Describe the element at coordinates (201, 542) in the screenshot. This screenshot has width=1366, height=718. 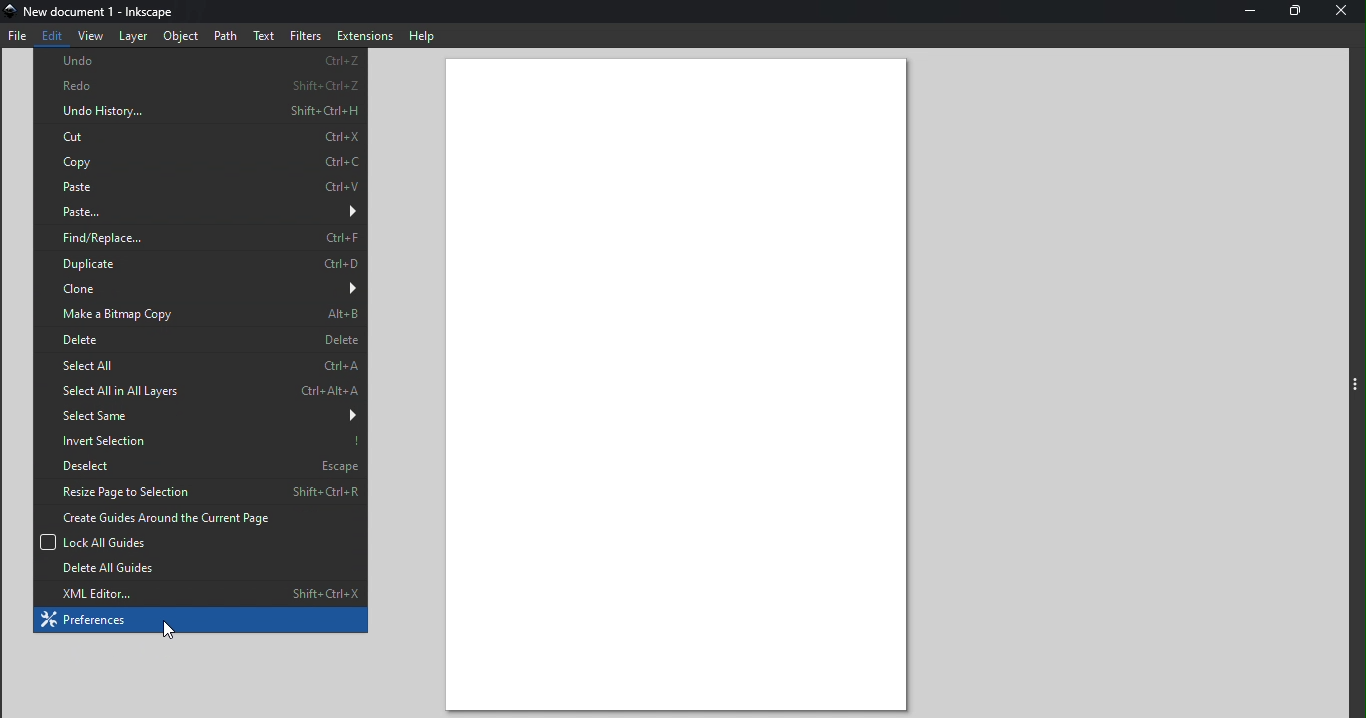
I see `Lock all guides` at that location.